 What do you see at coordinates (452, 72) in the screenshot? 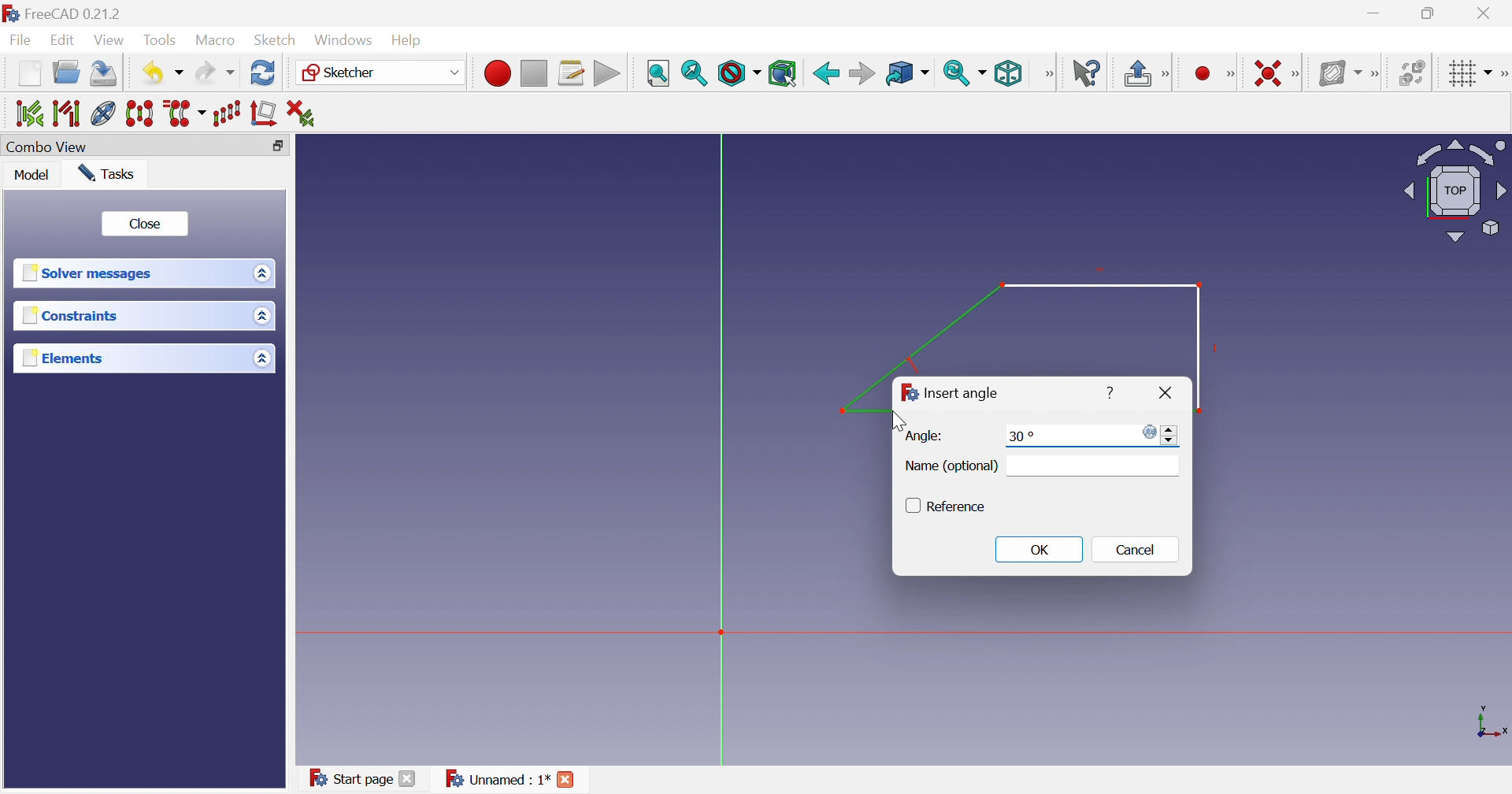
I see `Drop Down` at bounding box center [452, 72].